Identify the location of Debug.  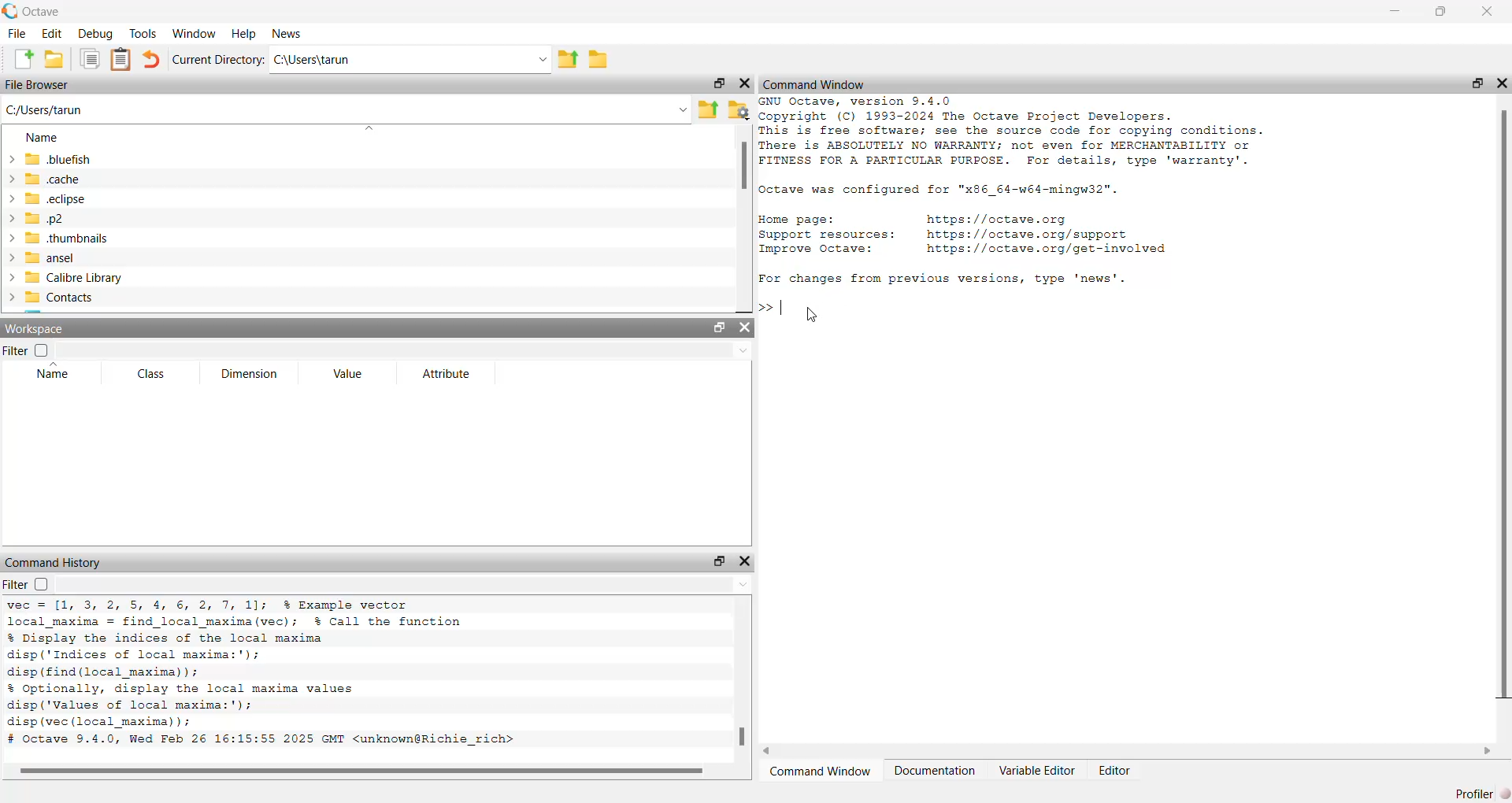
(95, 33).